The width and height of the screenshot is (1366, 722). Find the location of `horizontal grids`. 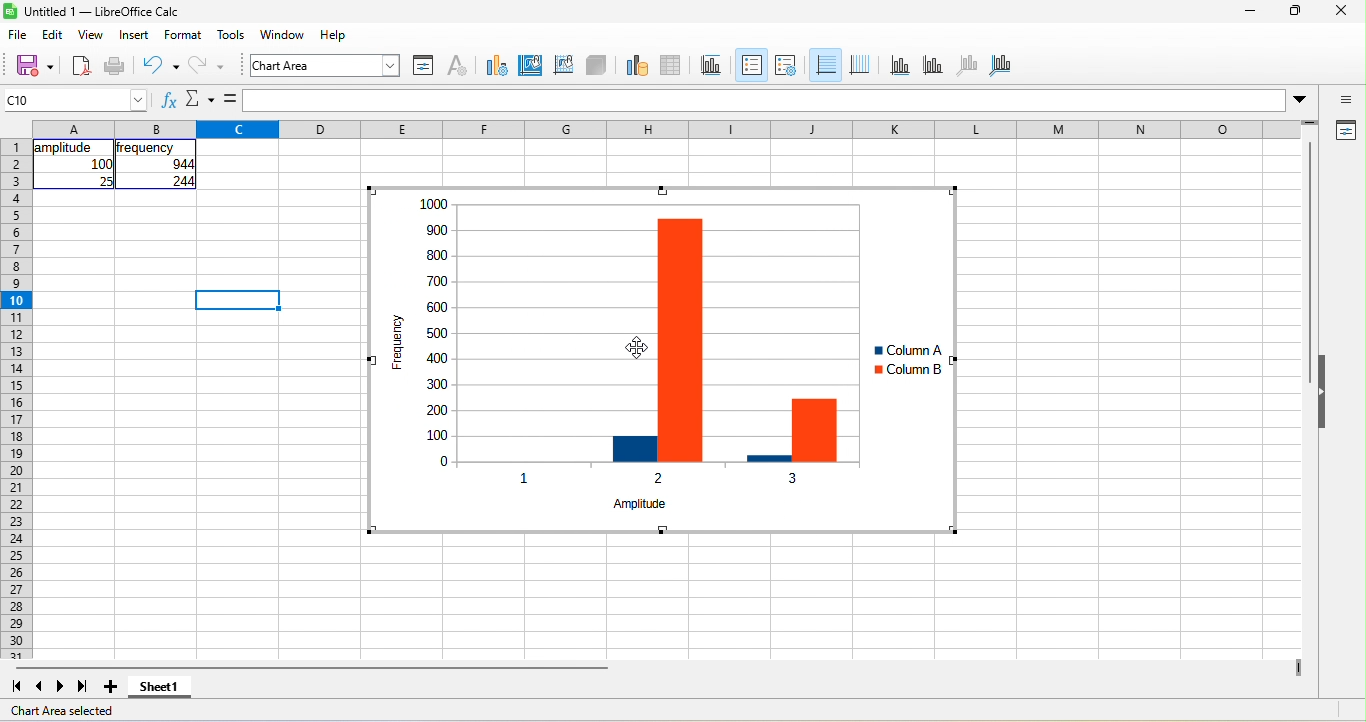

horizontal grids is located at coordinates (825, 65).